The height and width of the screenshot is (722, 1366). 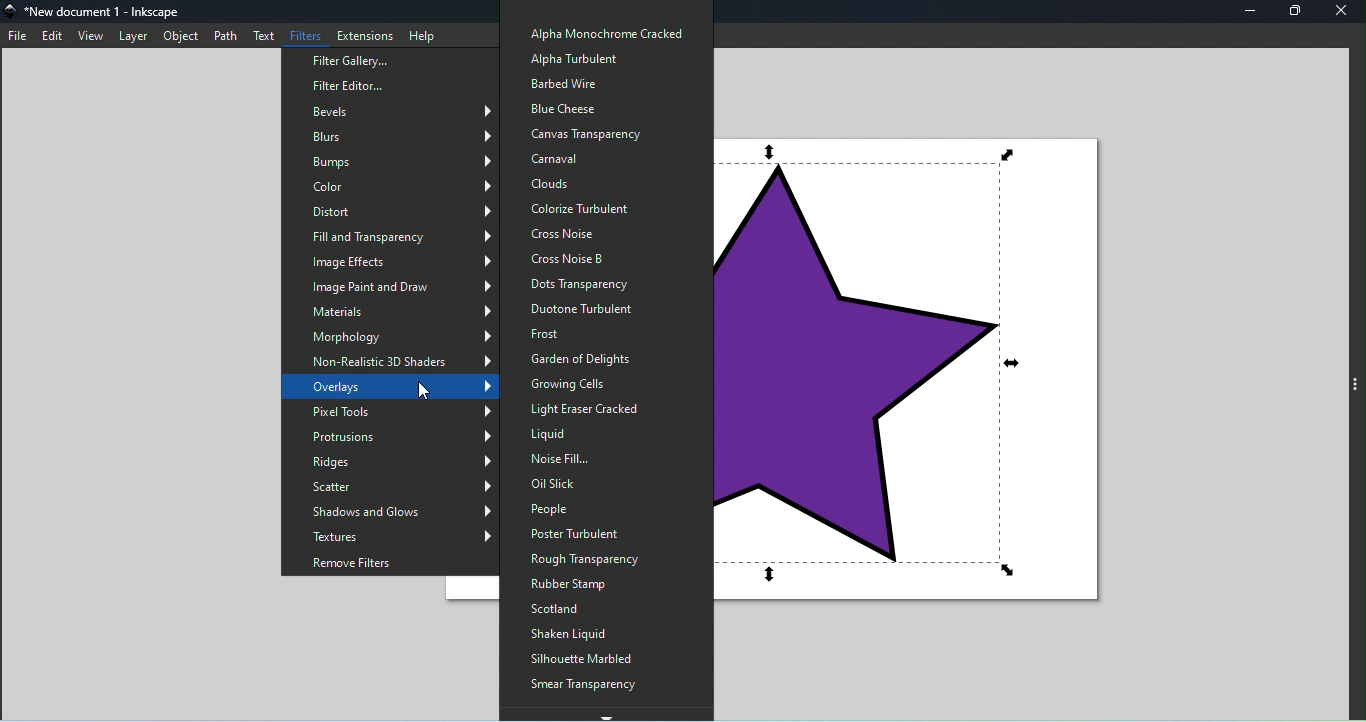 What do you see at coordinates (577, 60) in the screenshot?
I see `Alpha Turbulent` at bounding box center [577, 60].